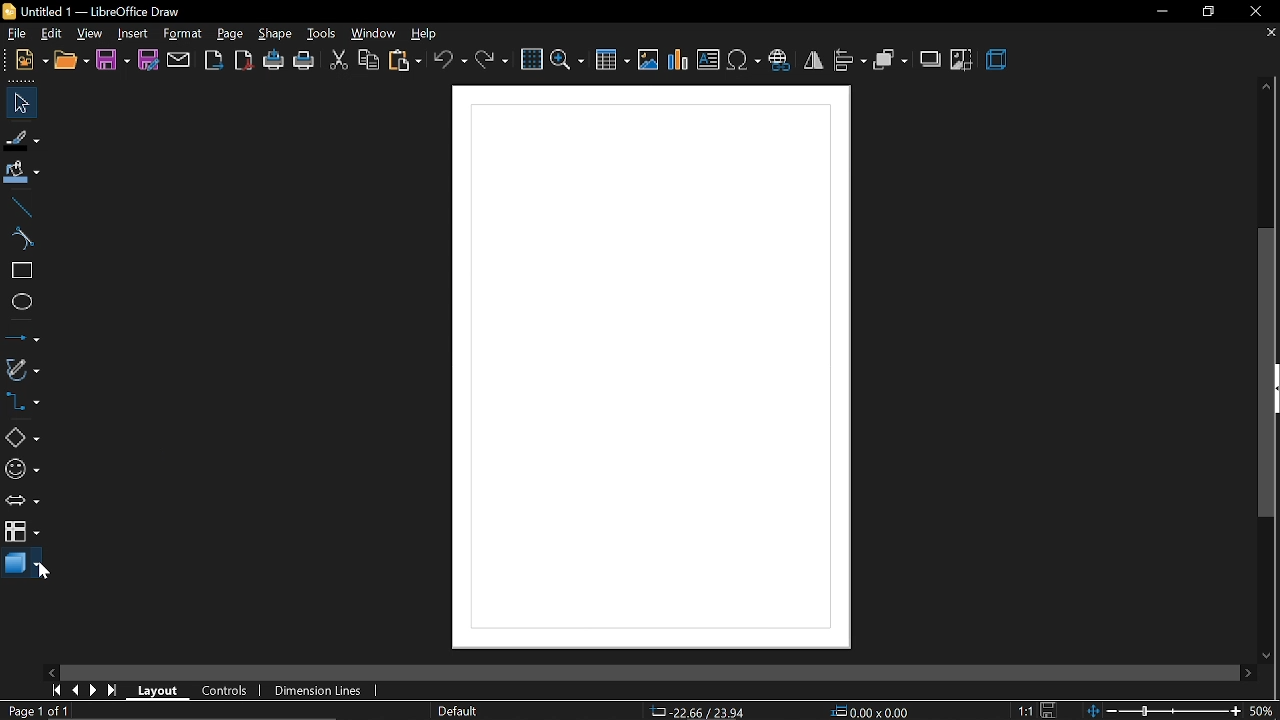 The height and width of the screenshot is (720, 1280). Describe the element at coordinates (322, 34) in the screenshot. I see `tools` at that location.